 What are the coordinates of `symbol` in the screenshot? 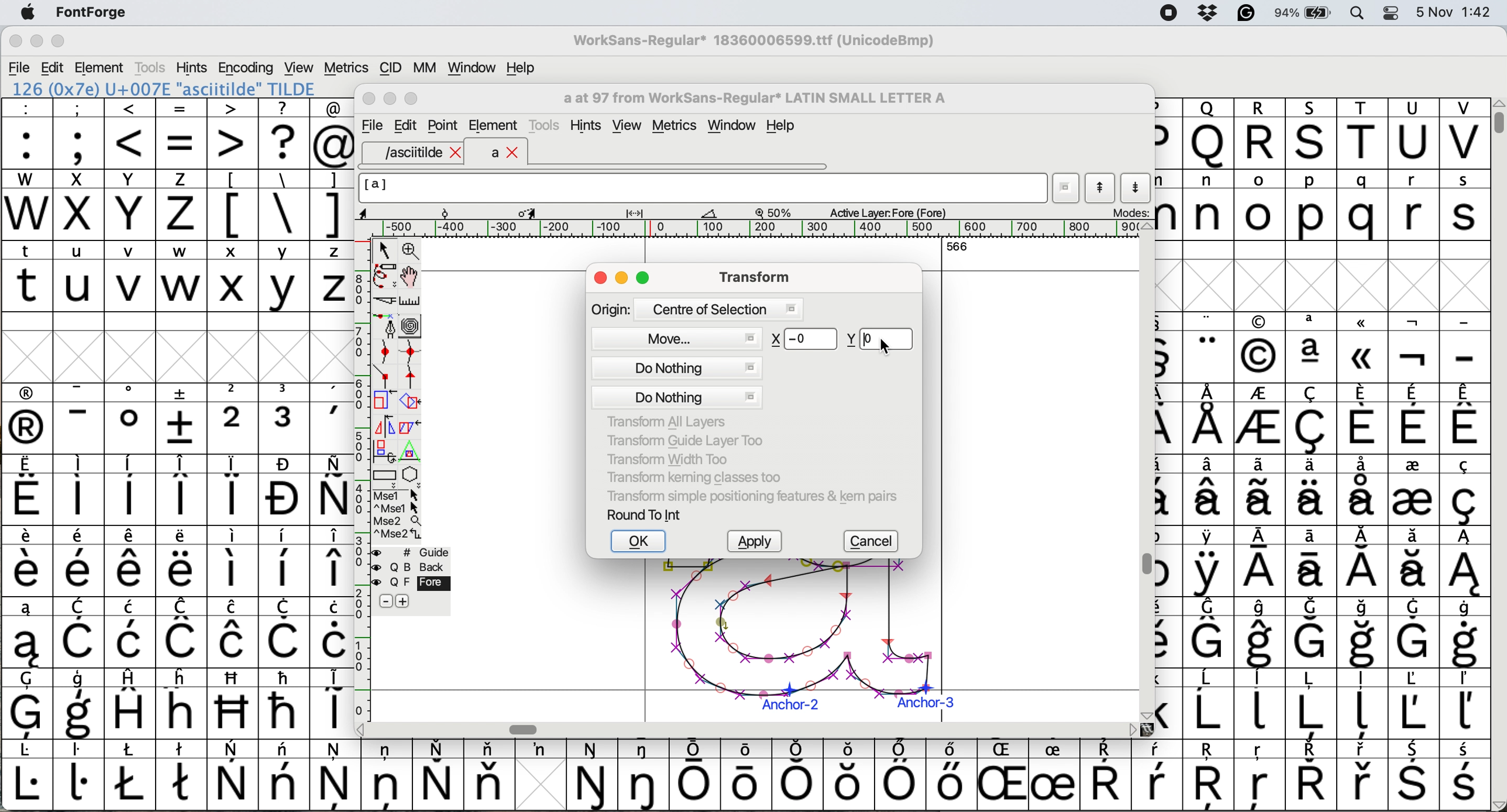 It's located at (1413, 562).